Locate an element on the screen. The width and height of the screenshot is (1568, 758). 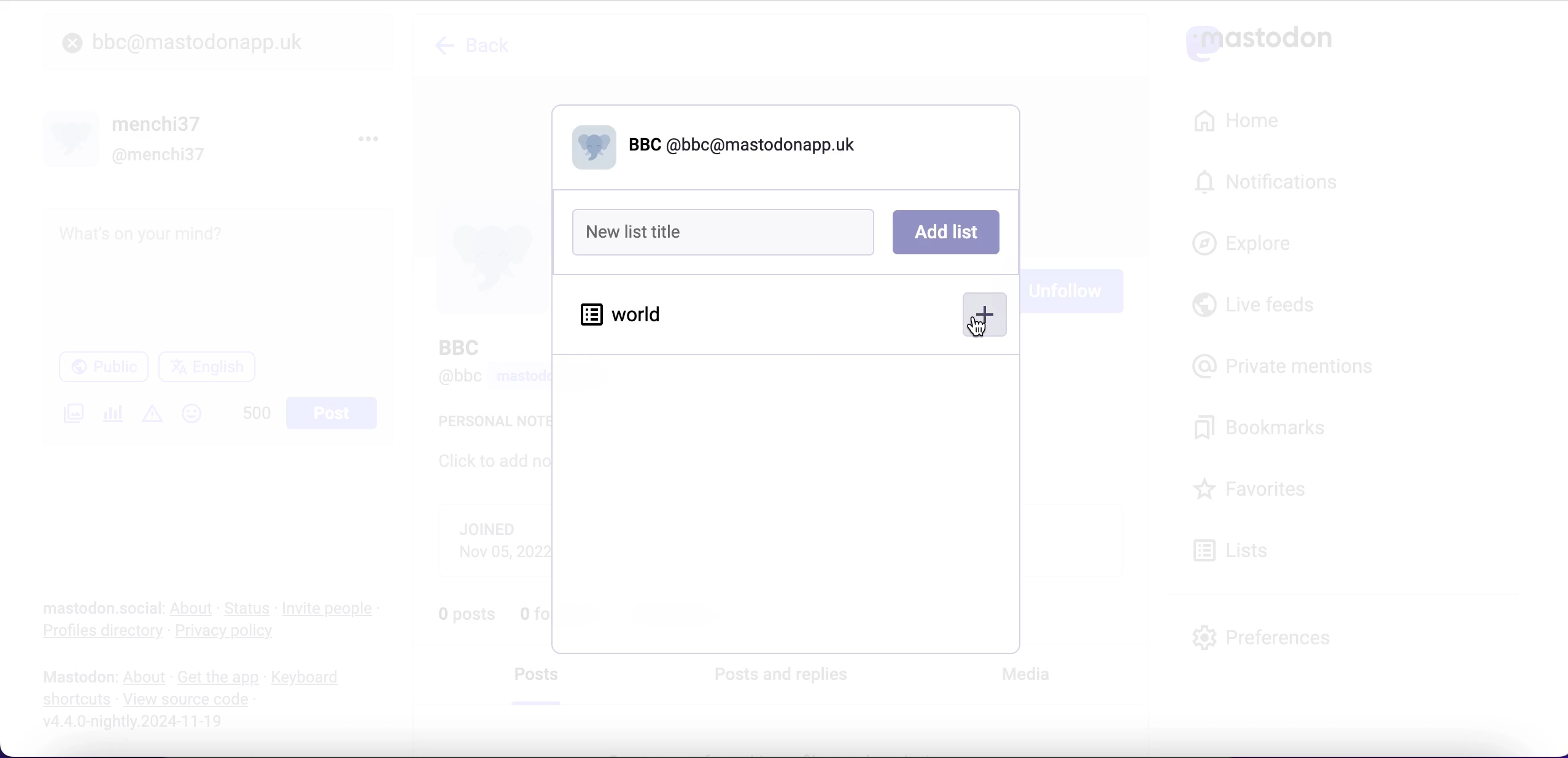
explore is located at coordinates (1254, 244).